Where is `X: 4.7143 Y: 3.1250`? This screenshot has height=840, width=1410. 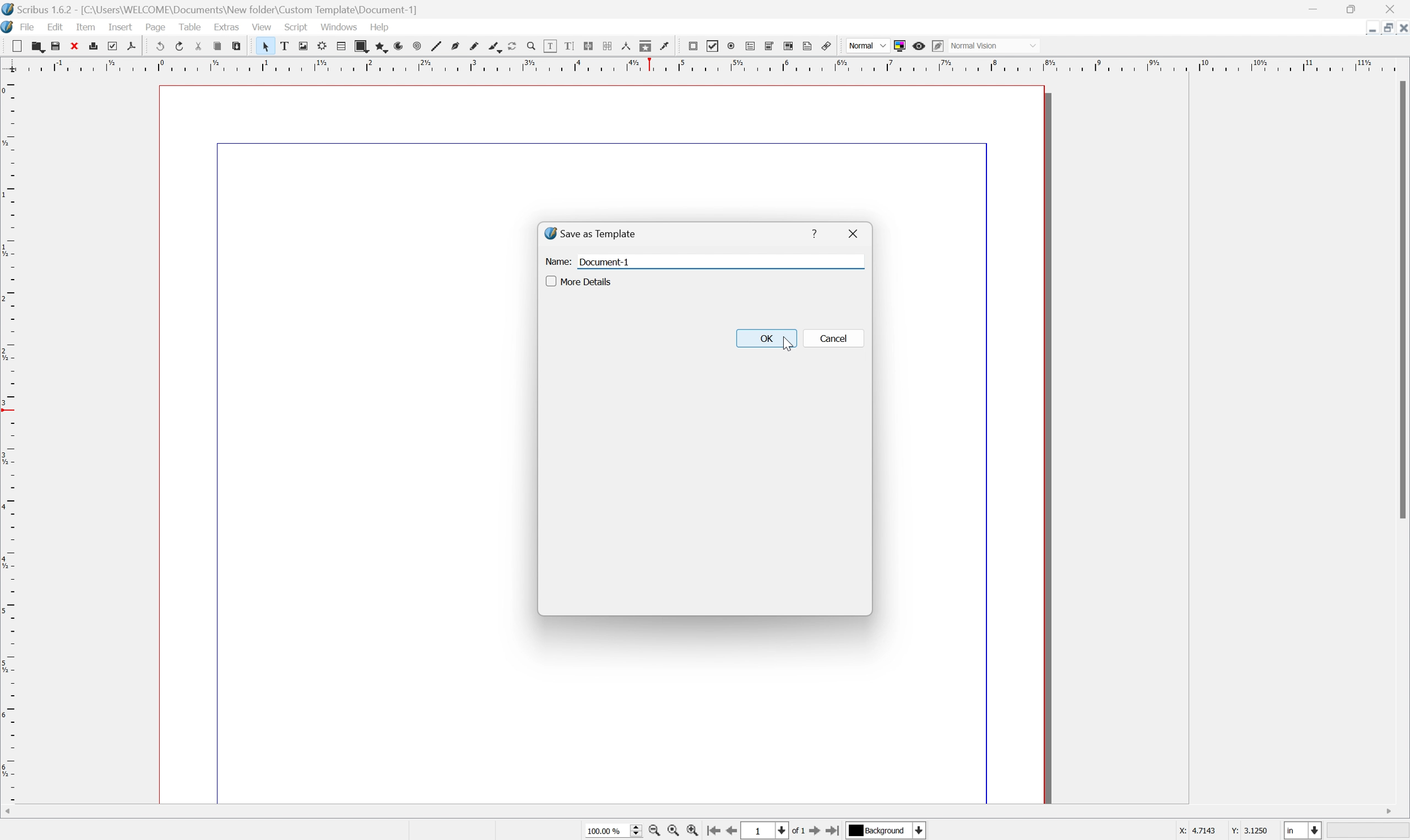 X: 4.7143 Y: 3.1250 is located at coordinates (1219, 832).